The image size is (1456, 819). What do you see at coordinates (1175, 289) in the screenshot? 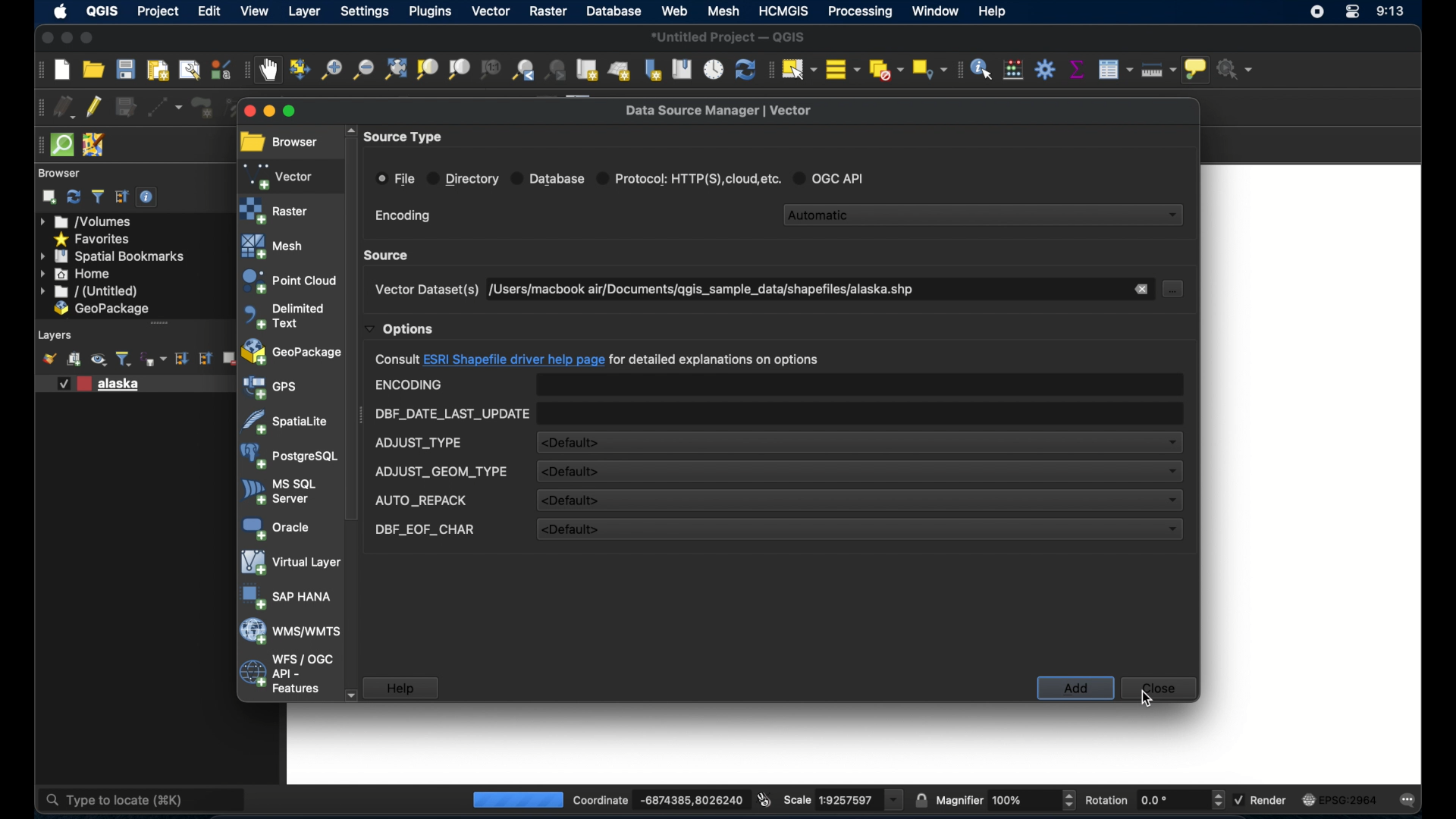
I see `select dataset button` at bounding box center [1175, 289].